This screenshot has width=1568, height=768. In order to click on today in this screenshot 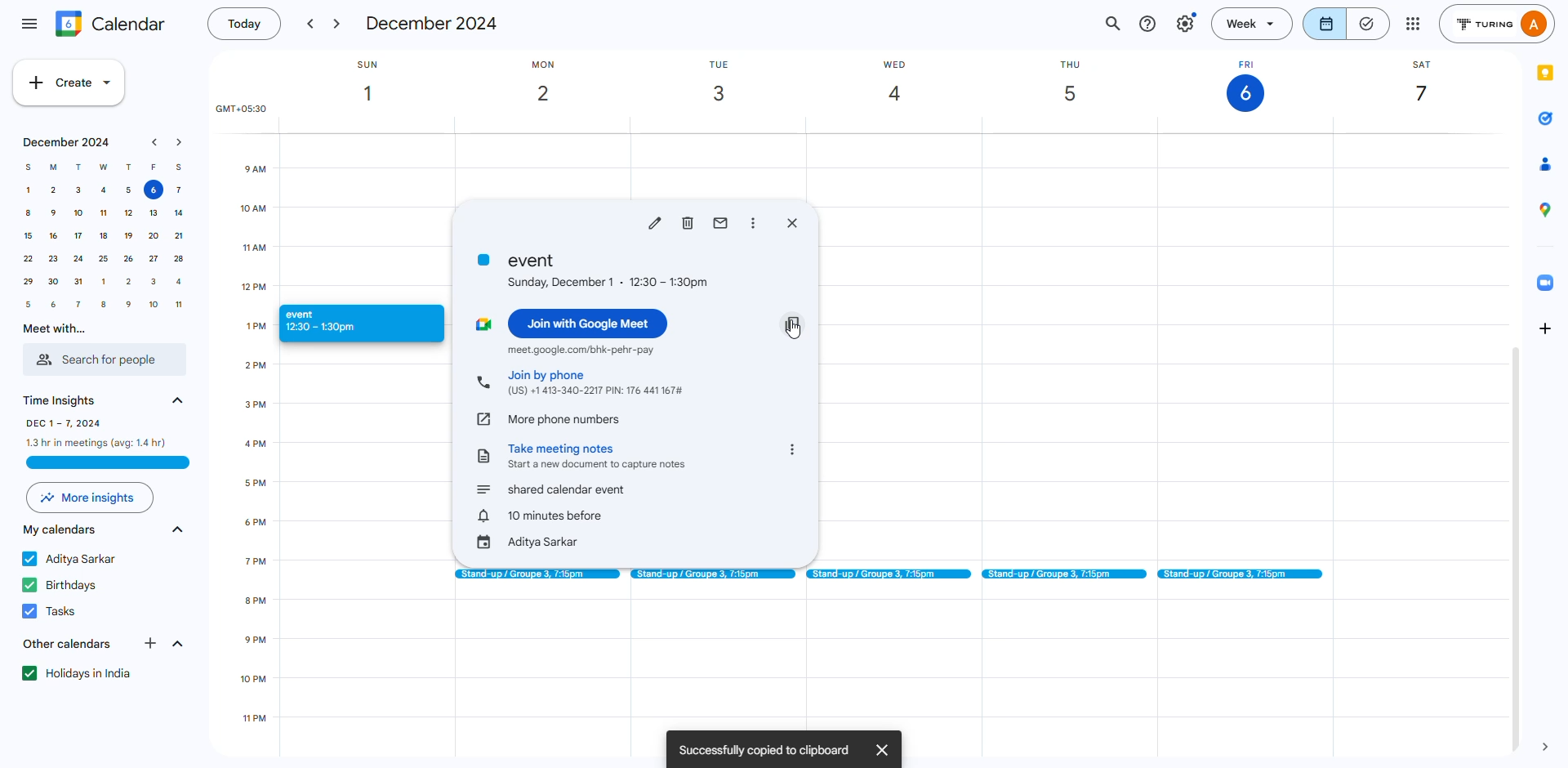, I will do `click(242, 25)`.